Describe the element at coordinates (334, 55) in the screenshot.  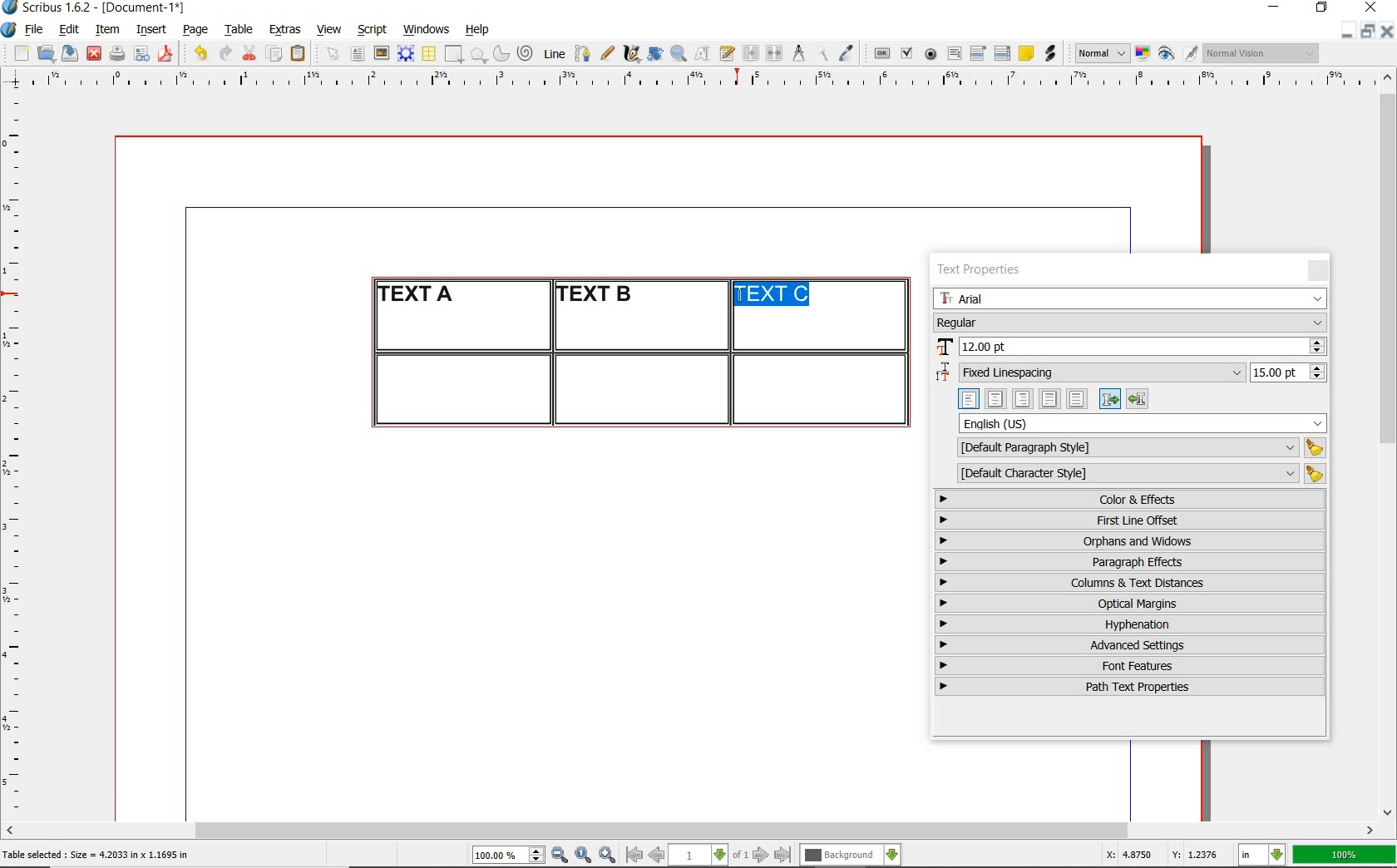
I see `select` at that location.